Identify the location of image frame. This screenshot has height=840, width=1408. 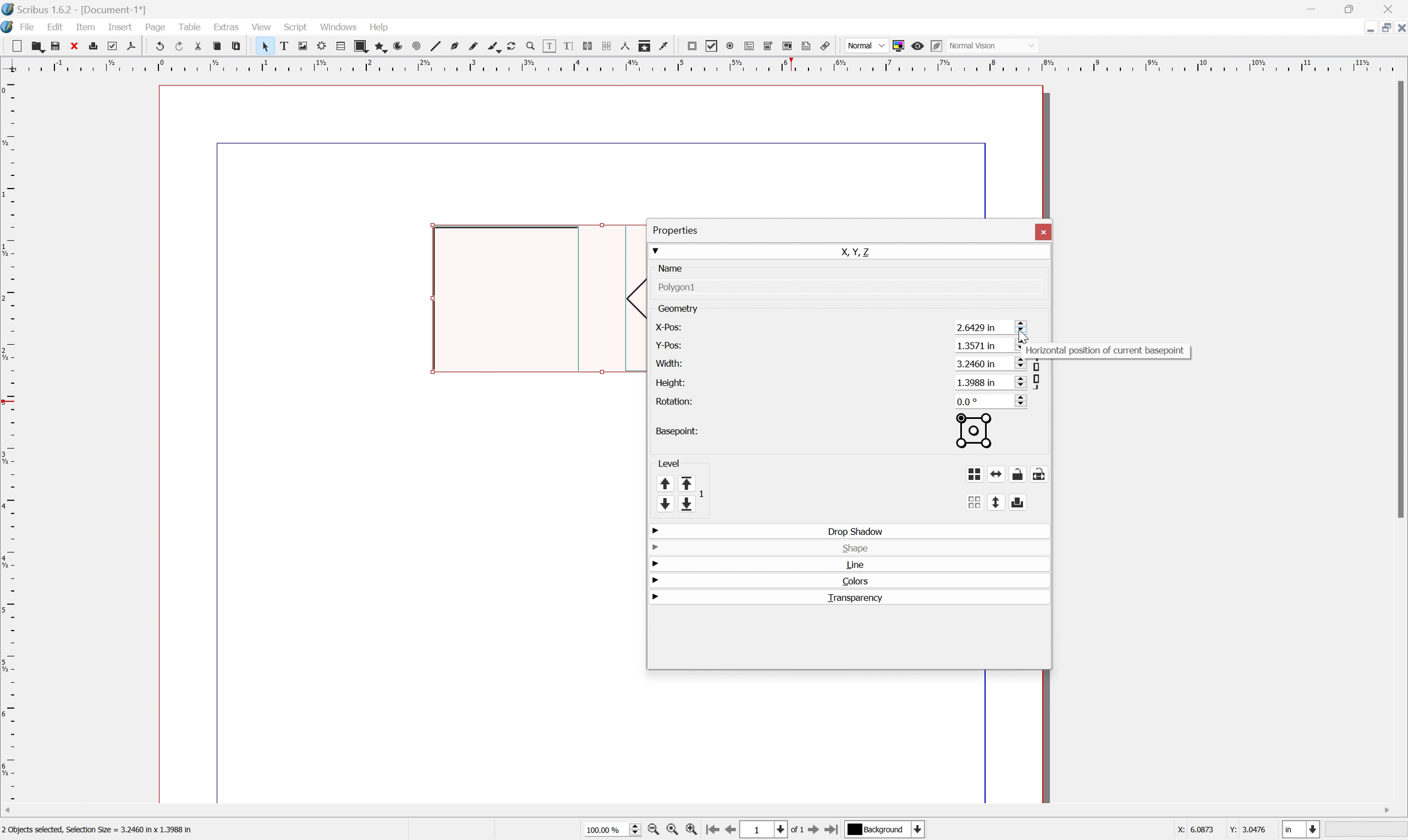
(298, 46).